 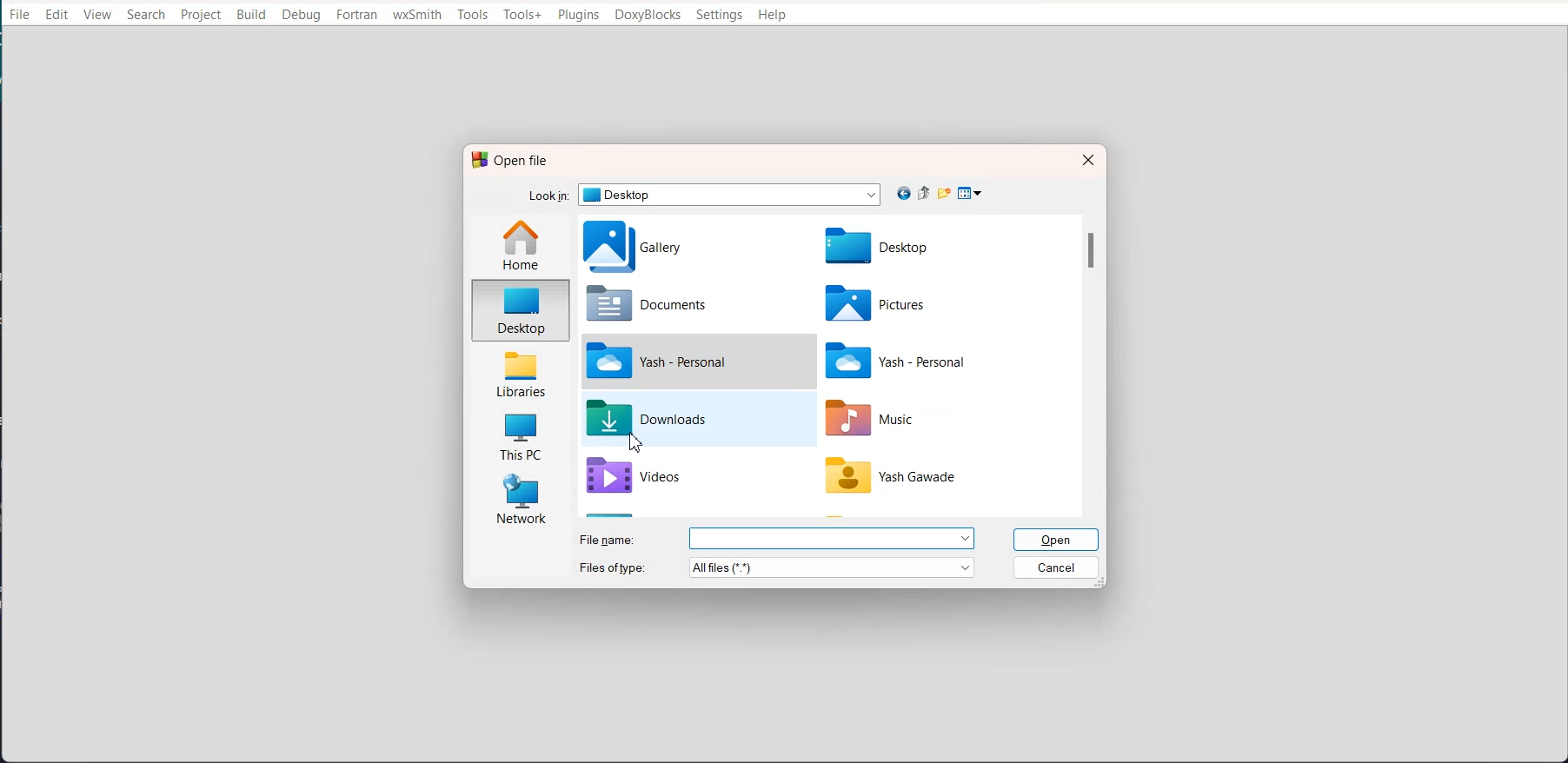 What do you see at coordinates (914, 361) in the screenshot?
I see `File` at bounding box center [914, 361].